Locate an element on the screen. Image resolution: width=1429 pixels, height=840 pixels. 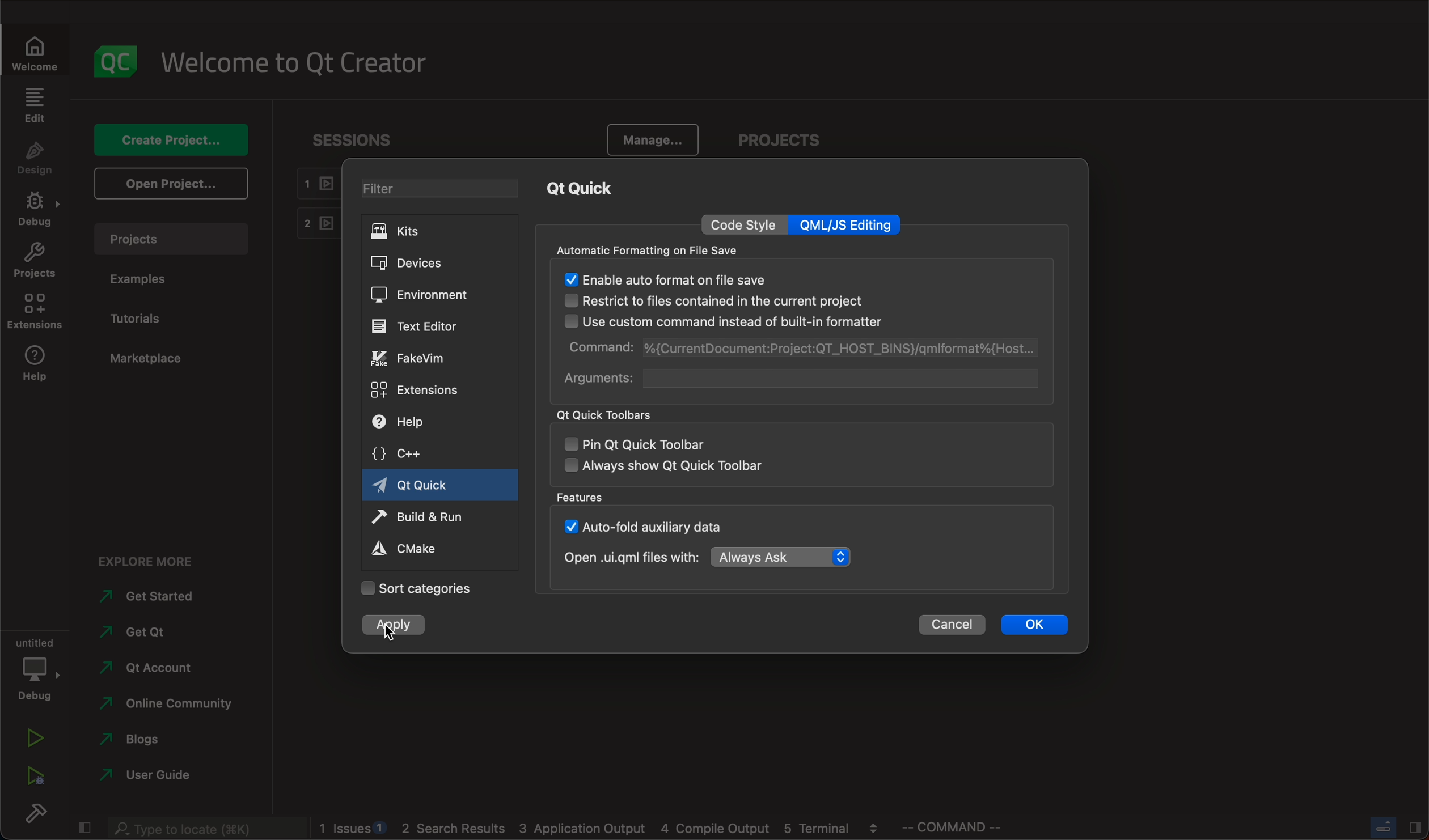
close slide bar is located at coordinates (1393, 826).